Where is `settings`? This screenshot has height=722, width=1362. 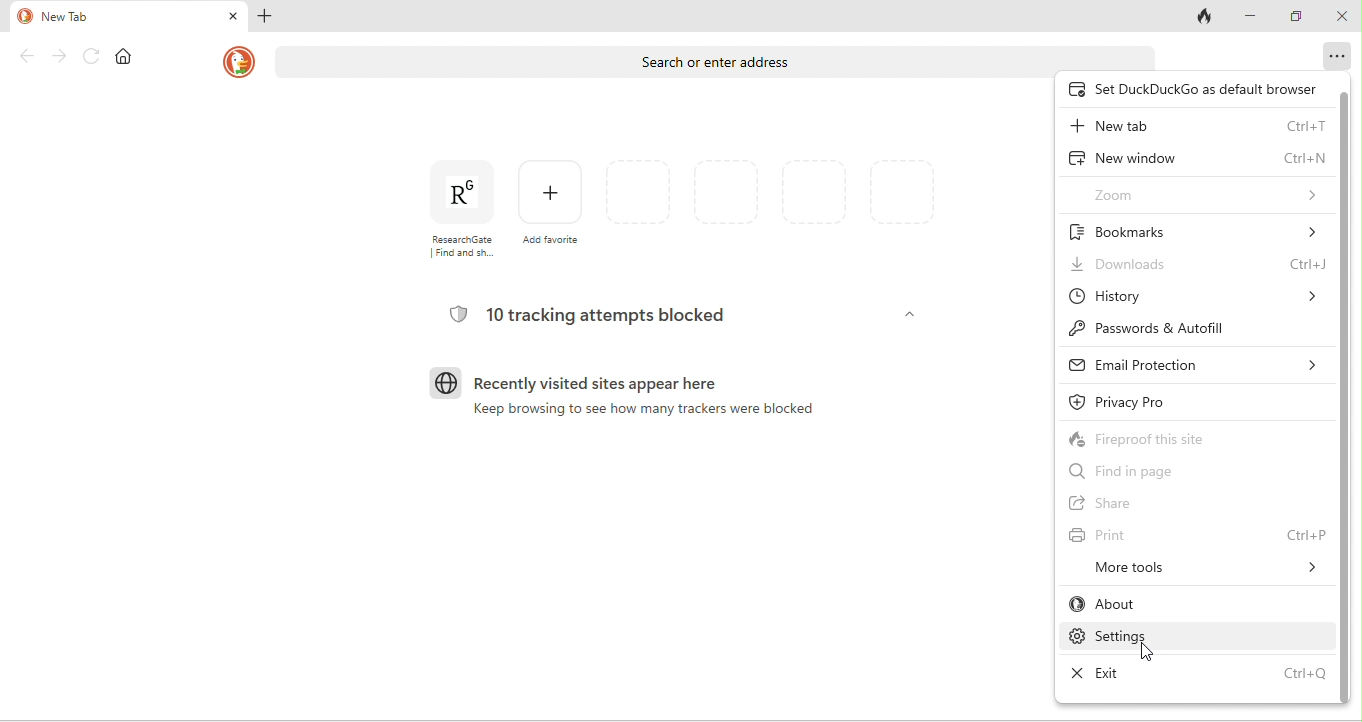
settings is located at coordinates (1146, 637).